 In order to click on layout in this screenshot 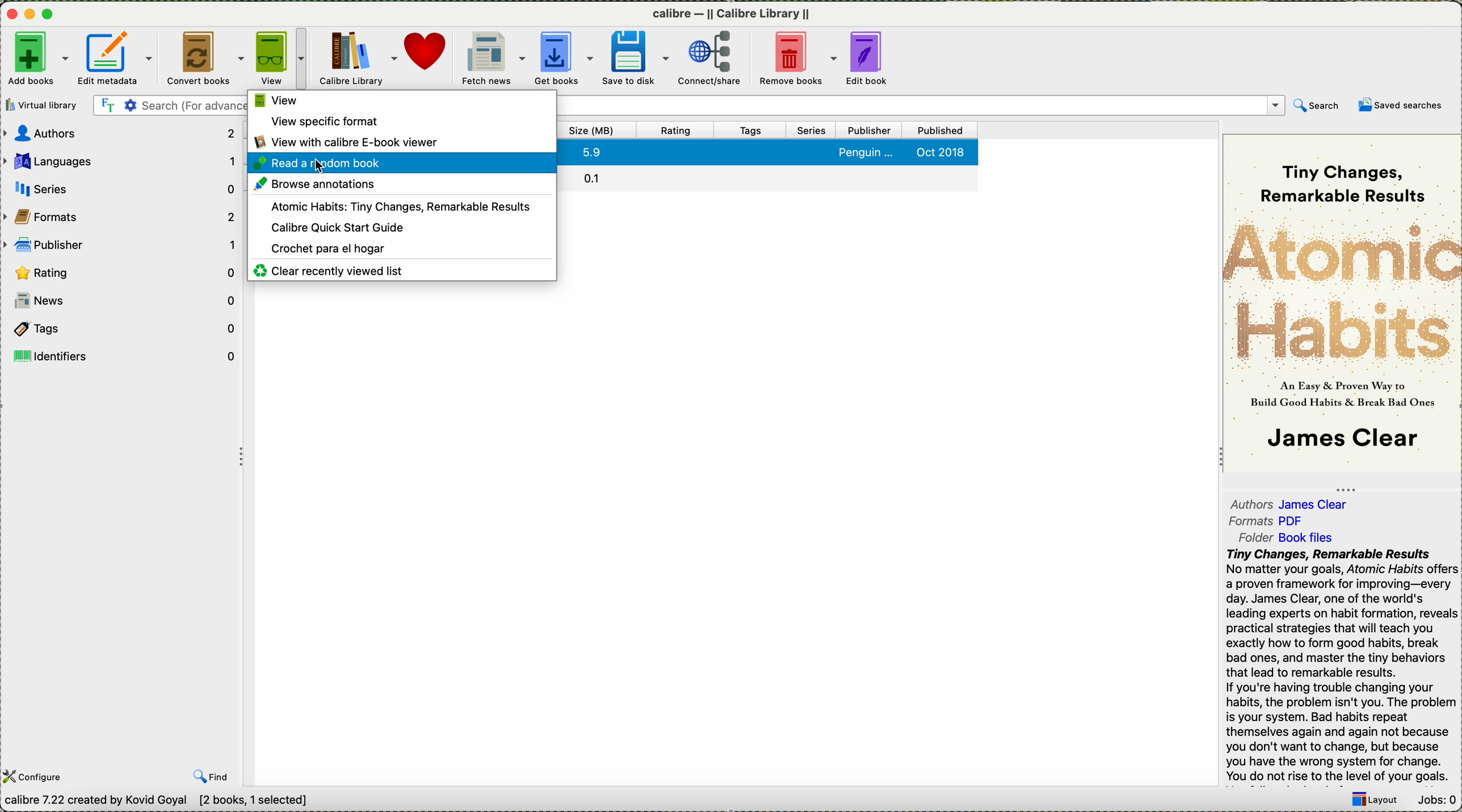, I will do `click(1372, 798)`.